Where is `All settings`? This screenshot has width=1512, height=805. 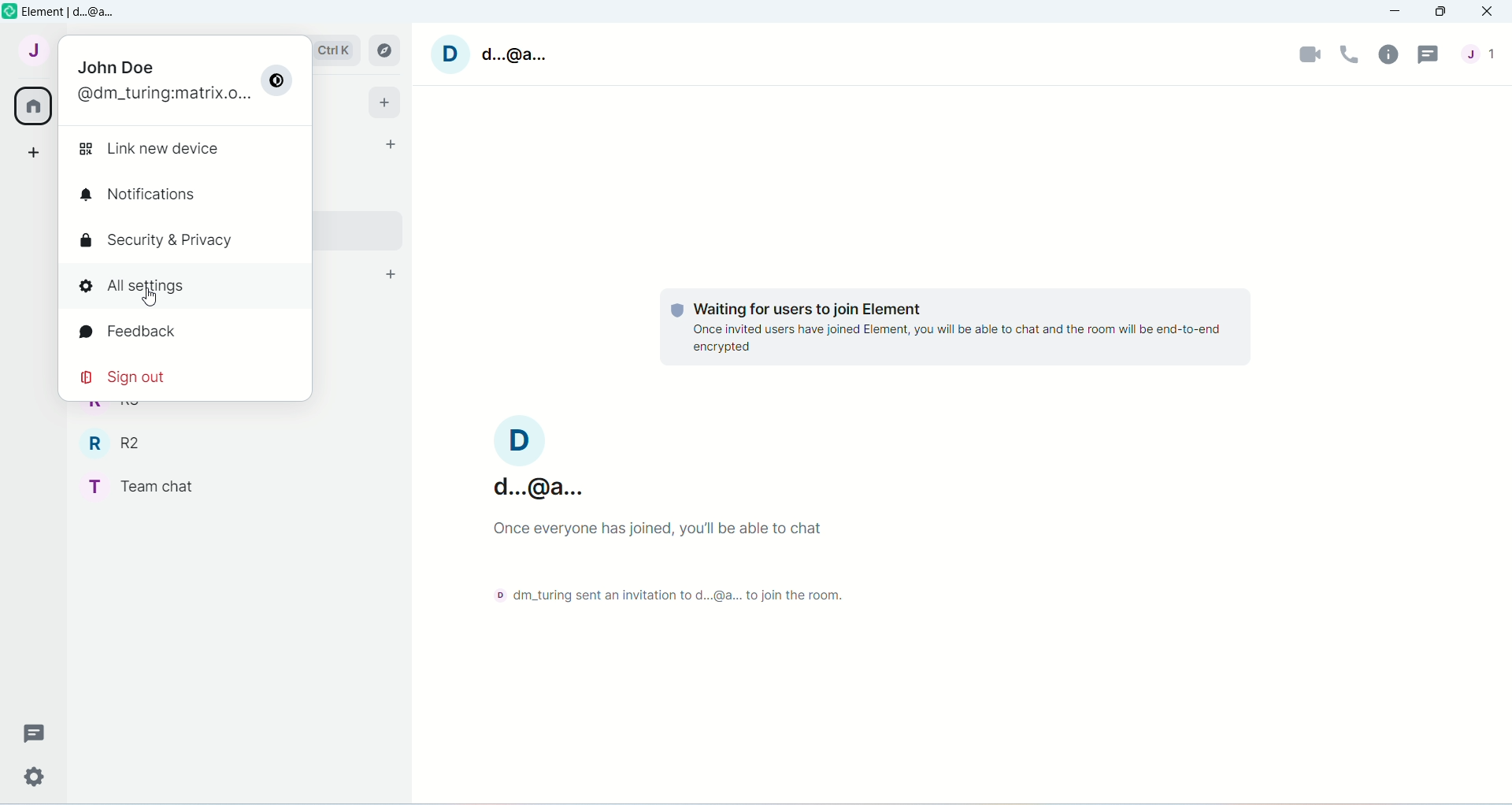
All settings is located at coordinates (188, 293).